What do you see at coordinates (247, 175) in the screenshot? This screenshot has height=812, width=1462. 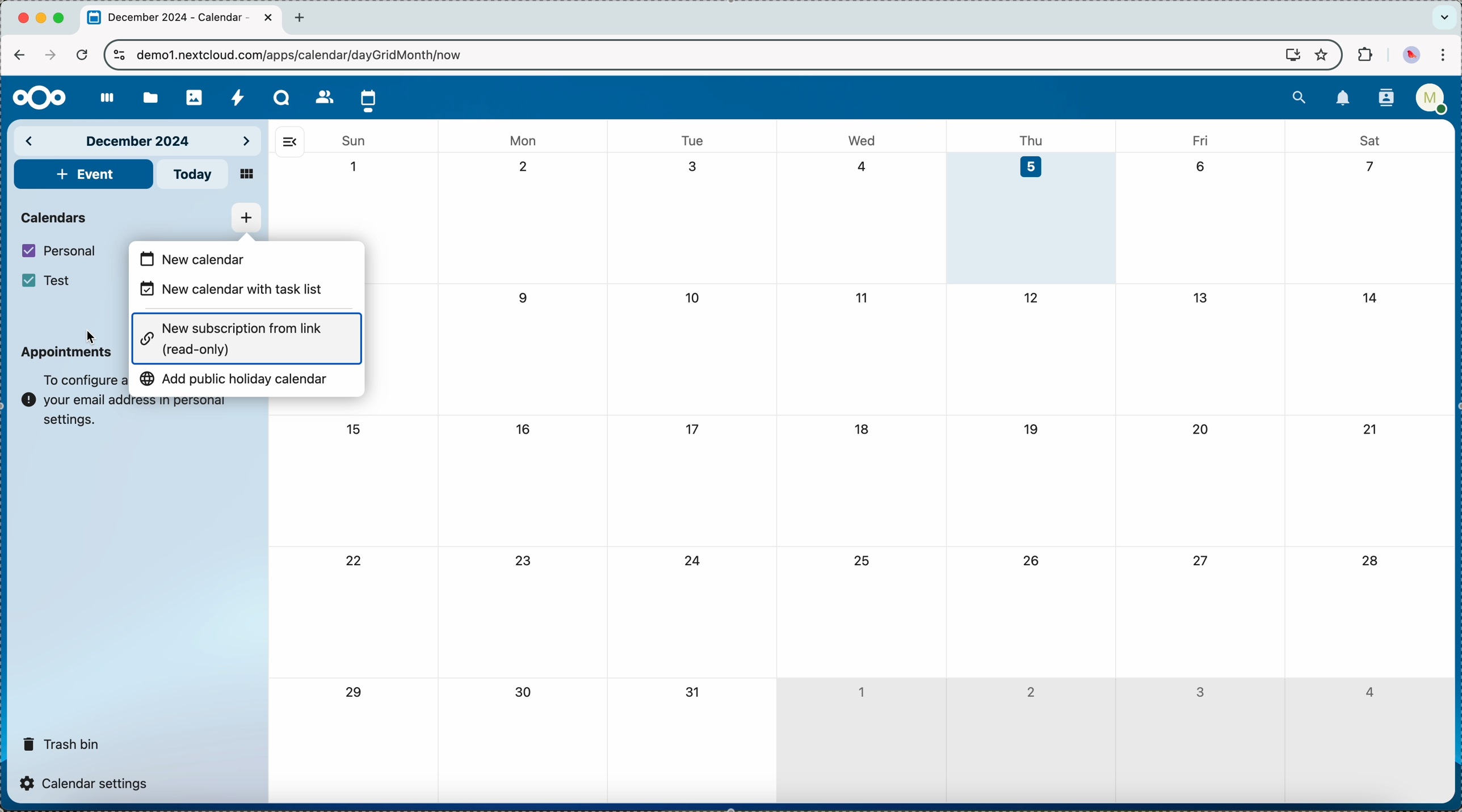 I see `mosaic view` at bounding box center [247, 175].